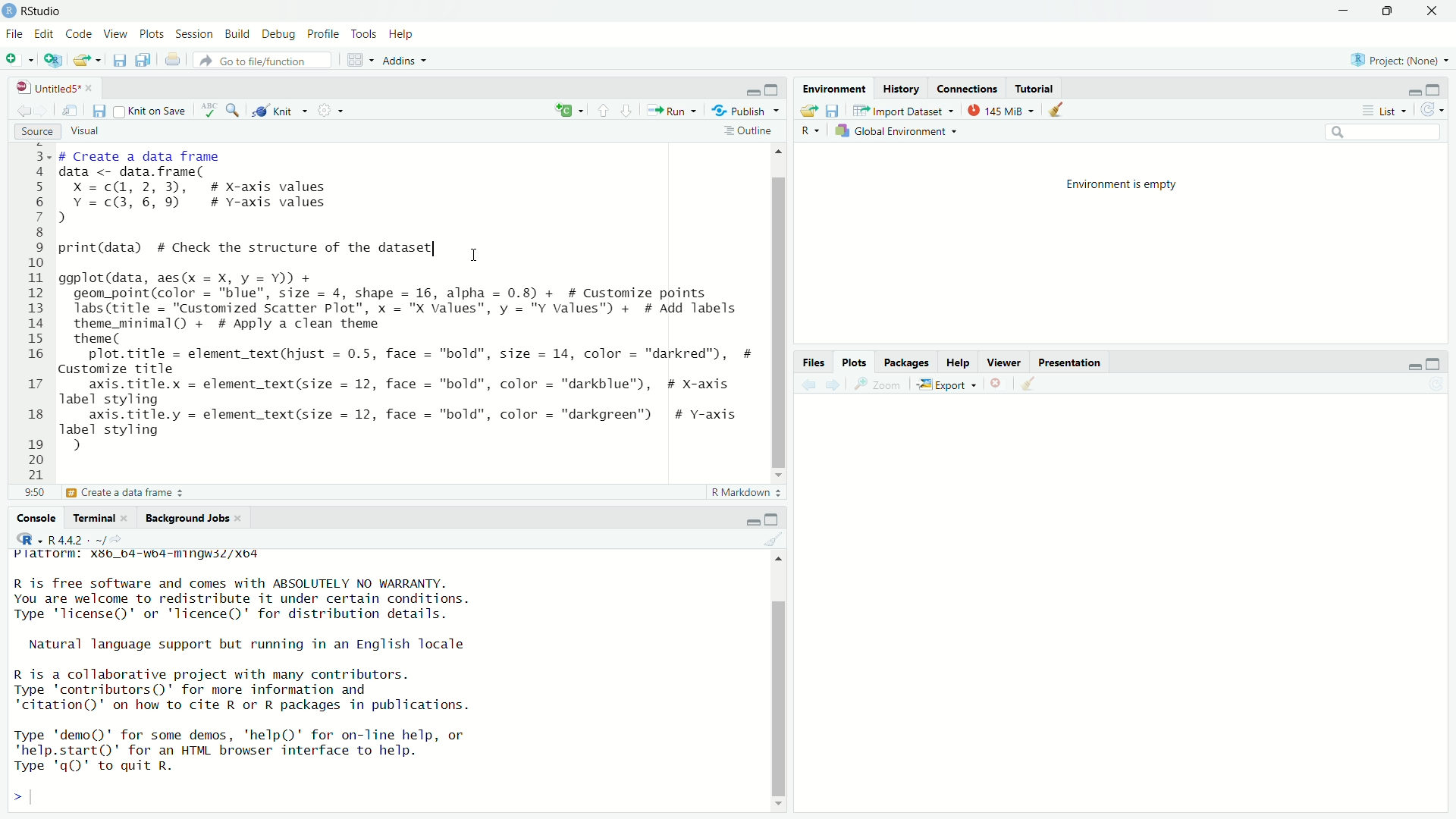 This screenshot has width=1456, height=819. What do you see at coordinates (1122, 185) in the screenshot?
I see `Environment is empty` at bounding box center [1122, 185].